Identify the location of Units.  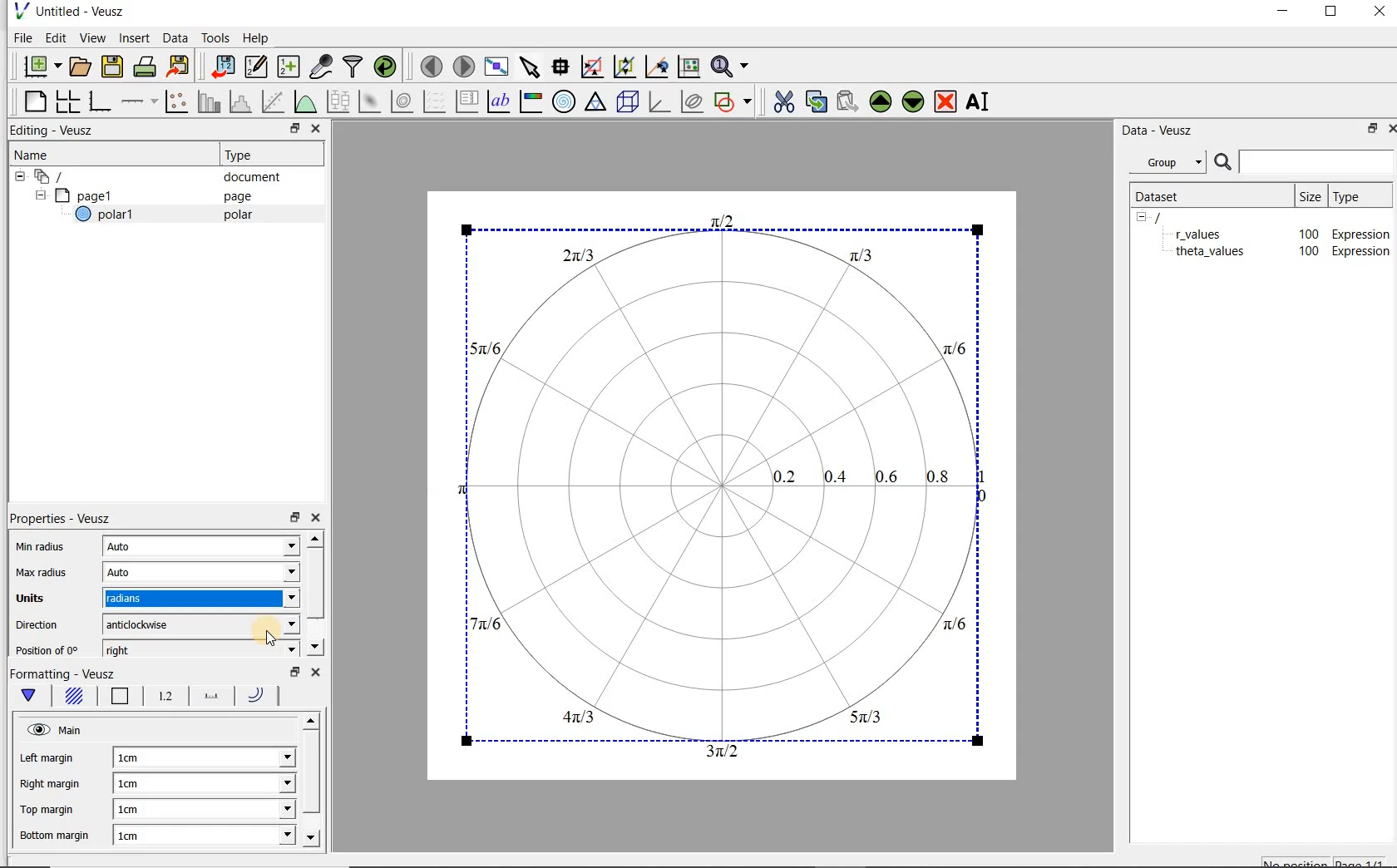
(34, 600).